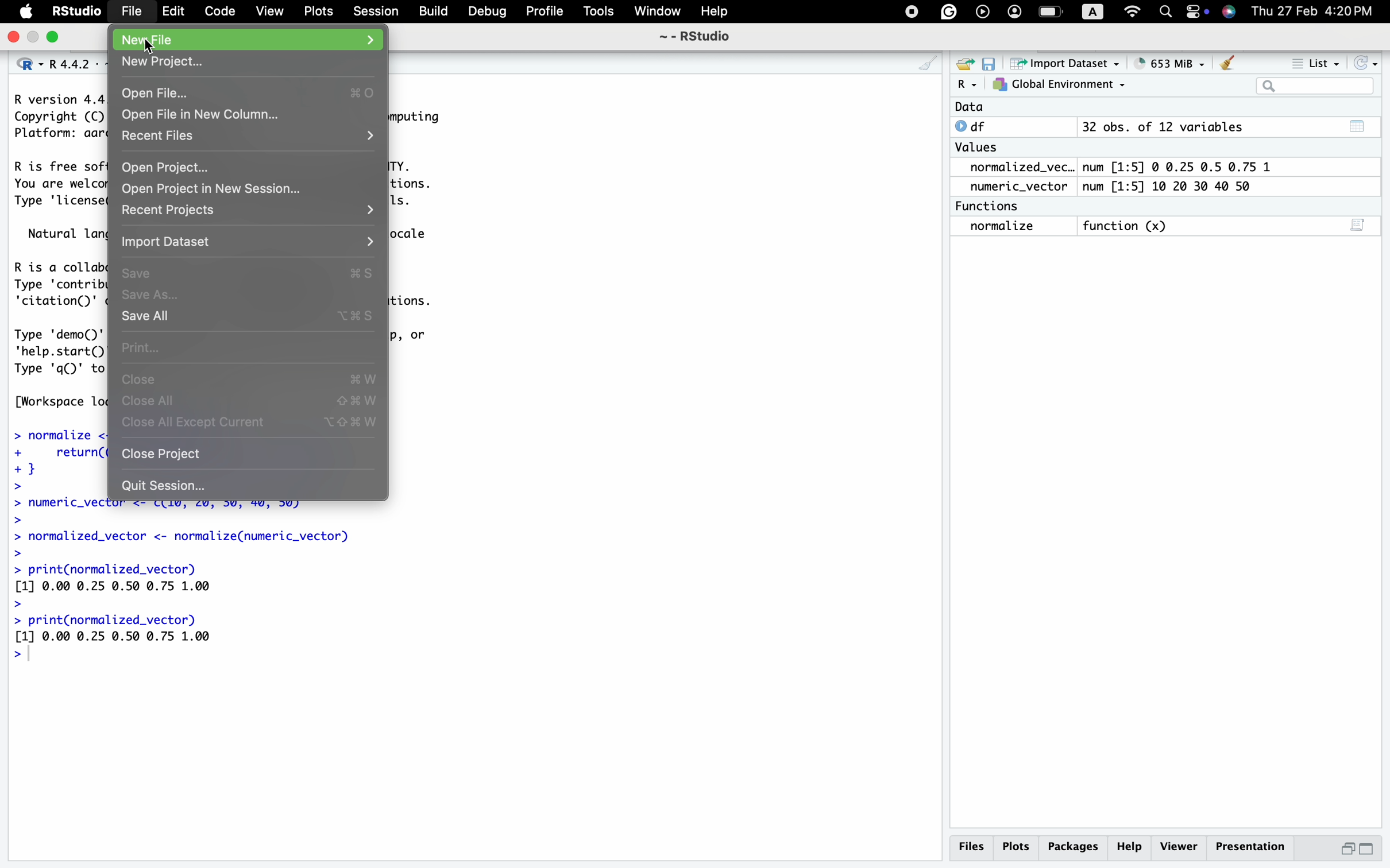 The height and width of the screenshot is (868, 1390). What do you see at coordinates (990, 206) in the screenshot?
I see `Functions` at bounding box center [990, 206].